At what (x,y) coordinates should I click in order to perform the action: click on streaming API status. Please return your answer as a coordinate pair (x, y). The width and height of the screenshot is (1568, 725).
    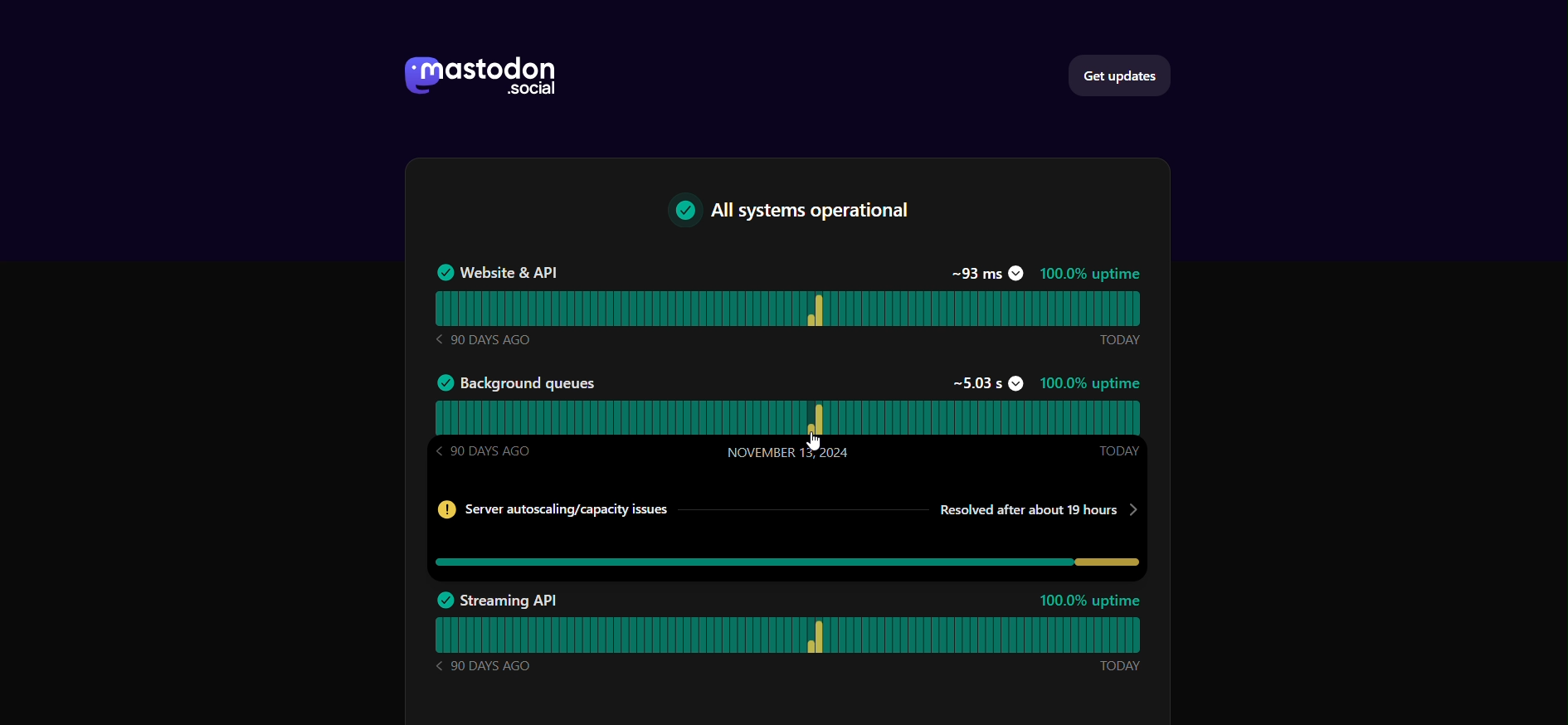
    Looking at the image, I should click on (791, 635).